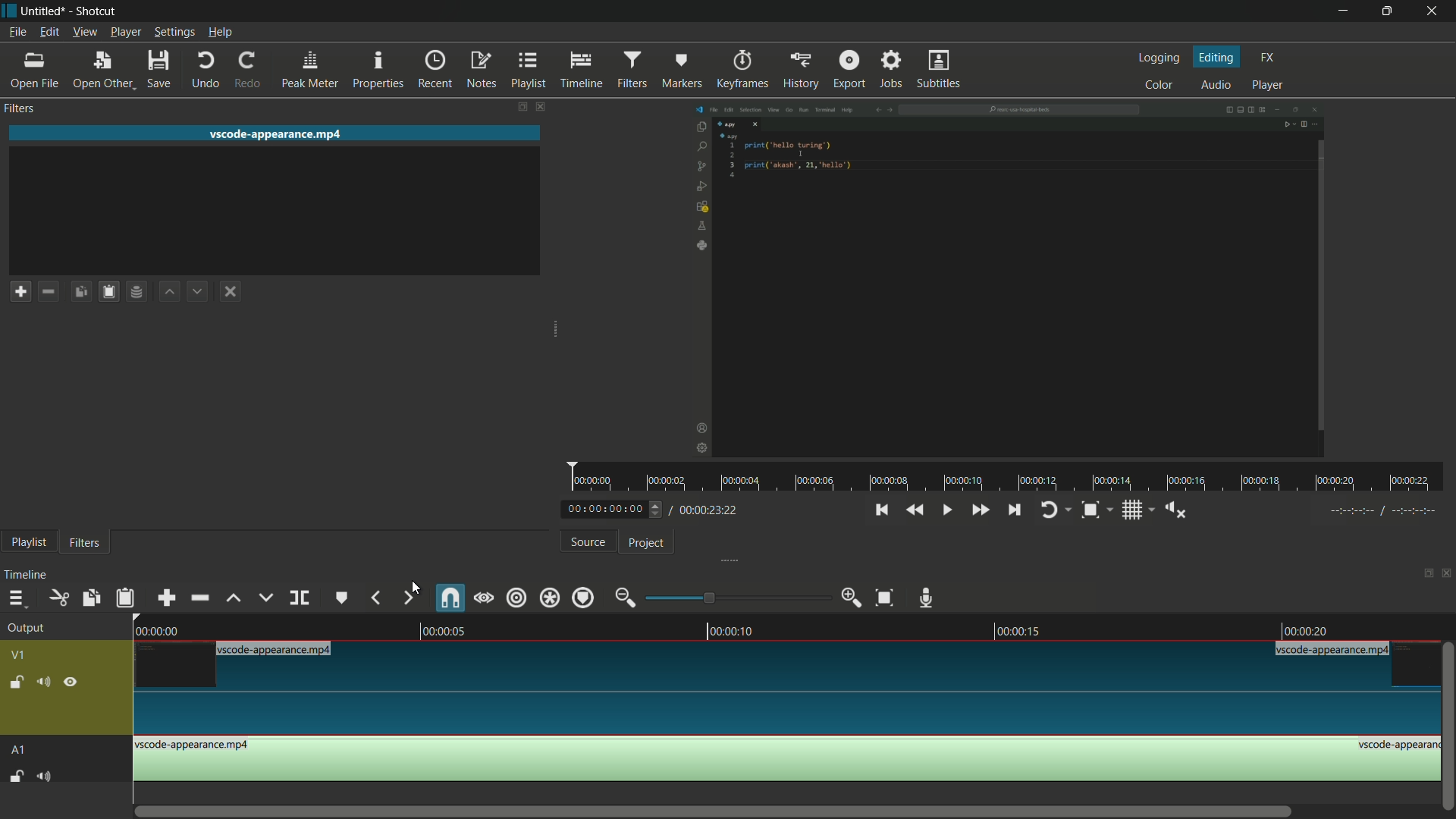  Describe the element at coordinates (1423, 572) in the screenshot. I see `change layout` at that location.